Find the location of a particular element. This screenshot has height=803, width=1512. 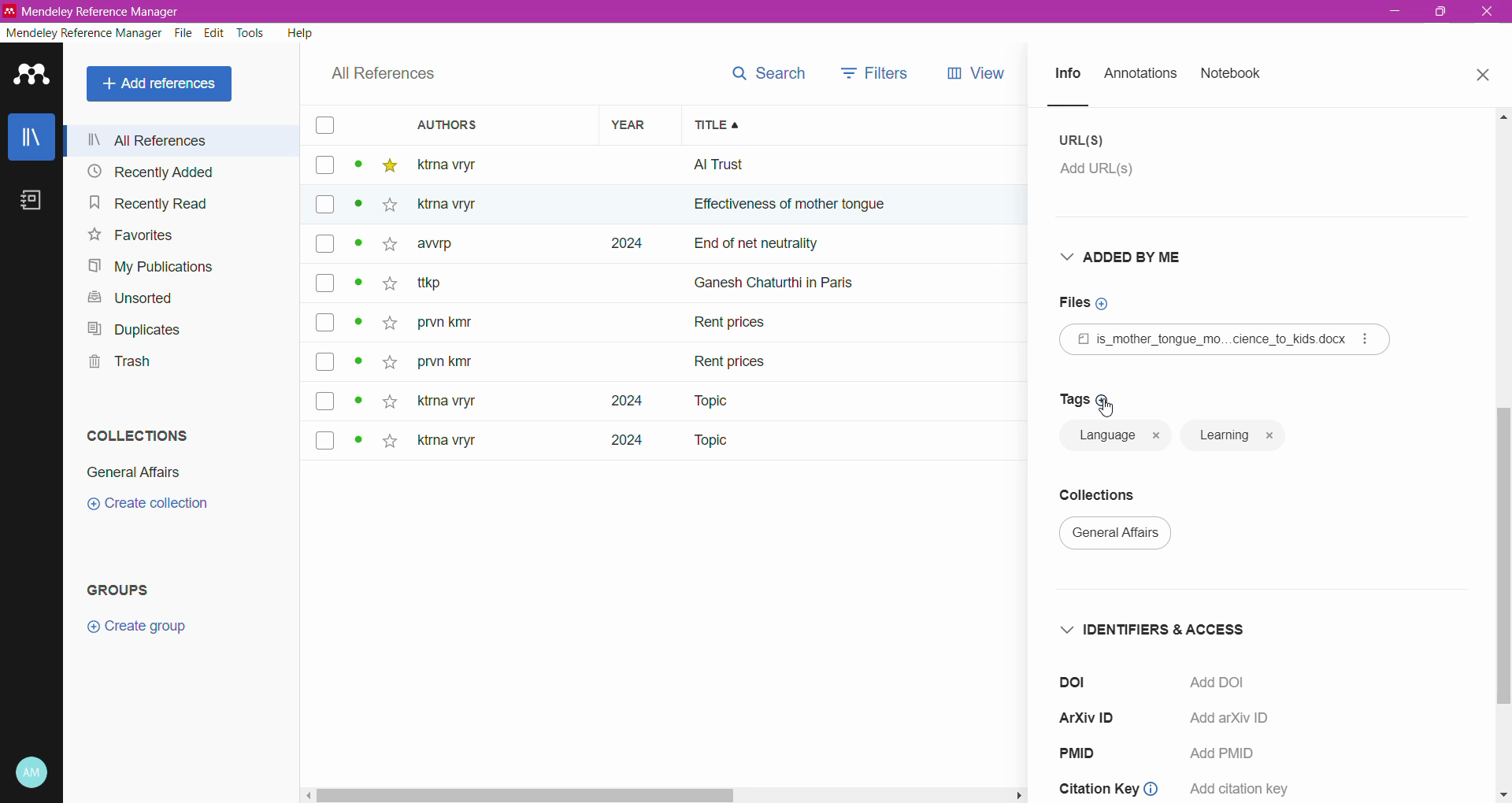

line  is located at coordinates (1083, 105).